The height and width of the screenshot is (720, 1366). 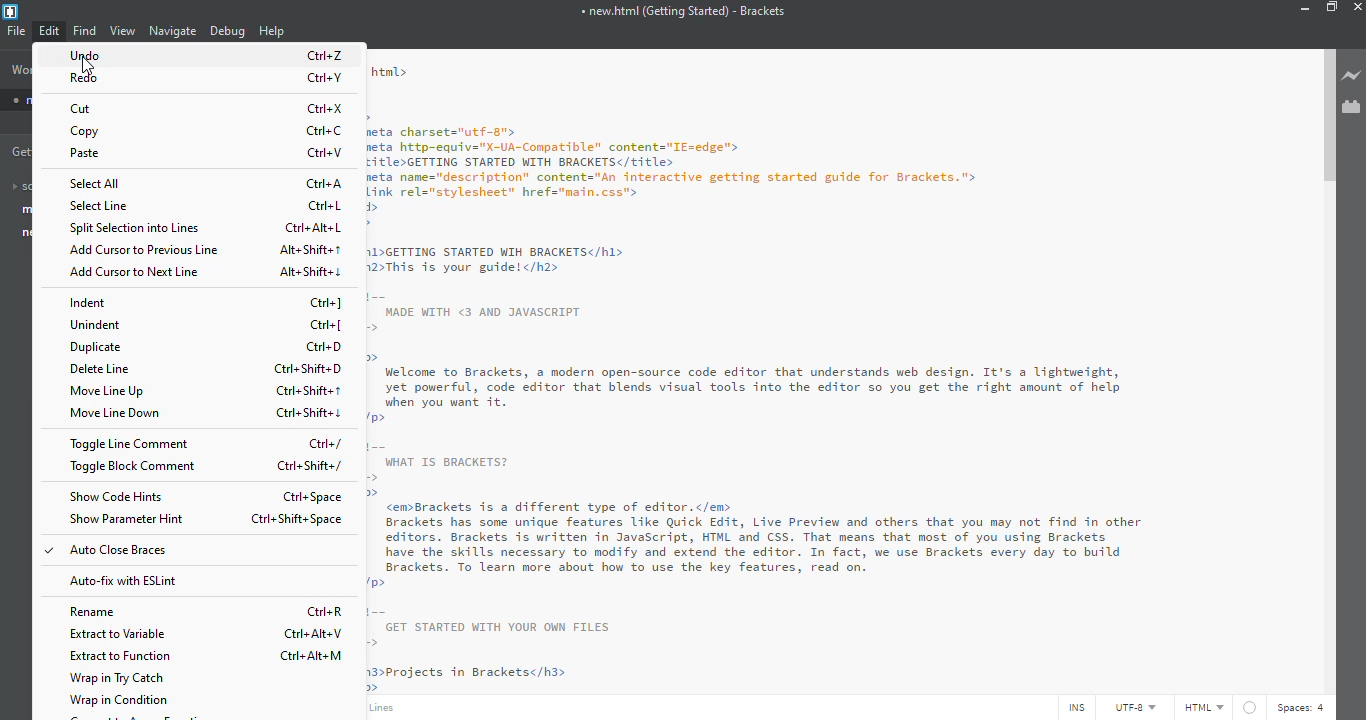 What do you see at coordinates (331, 445) in the screenshot?
I see `ctrl+/` at bounding box center [331, 445].